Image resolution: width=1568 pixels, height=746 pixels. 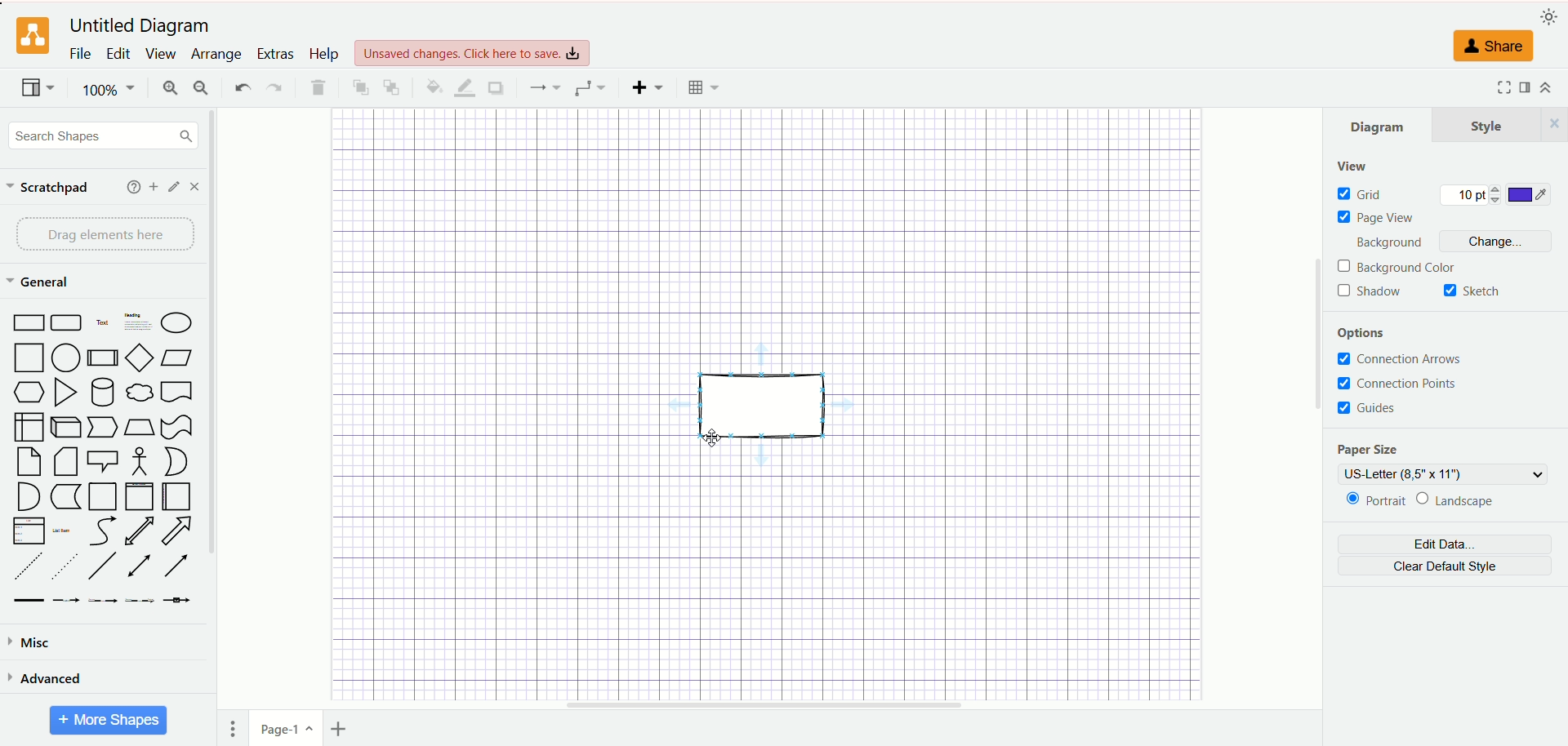 I want to click on zoom out, so click(x=203, y=88).